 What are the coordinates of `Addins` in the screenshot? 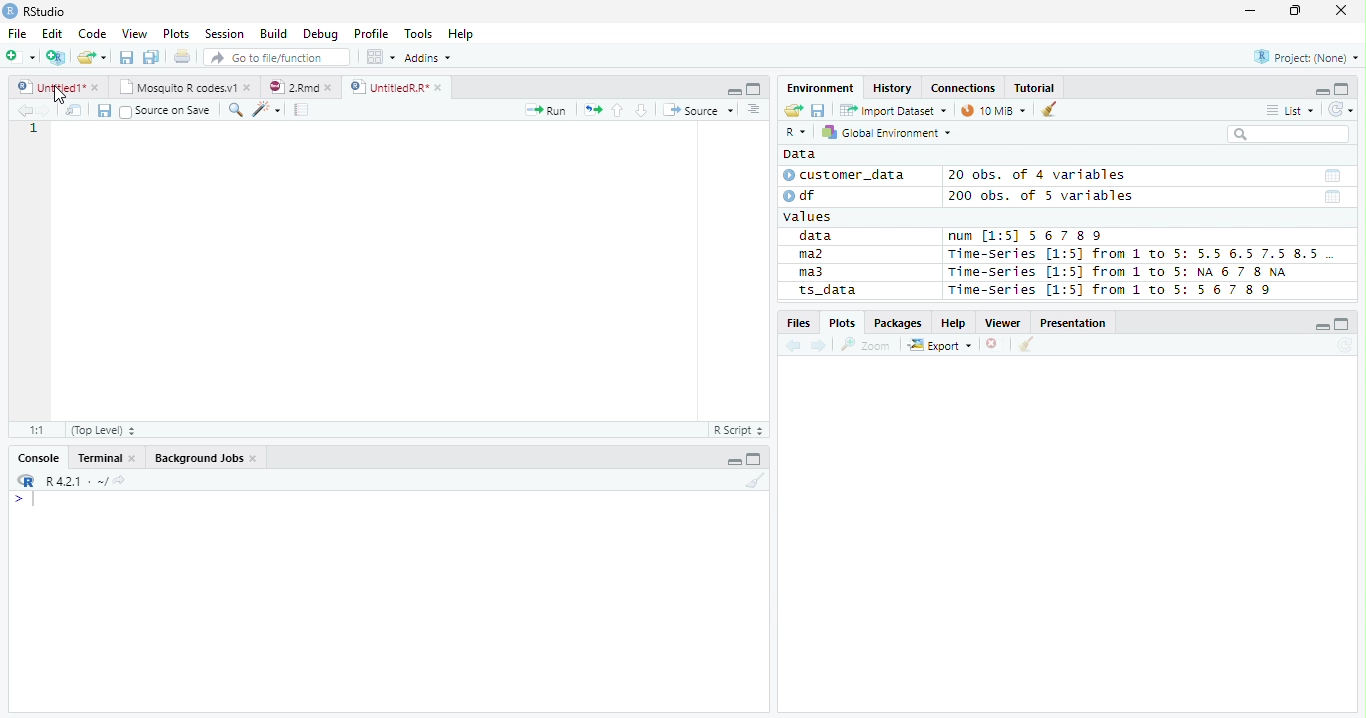 It's located at (430, 57).